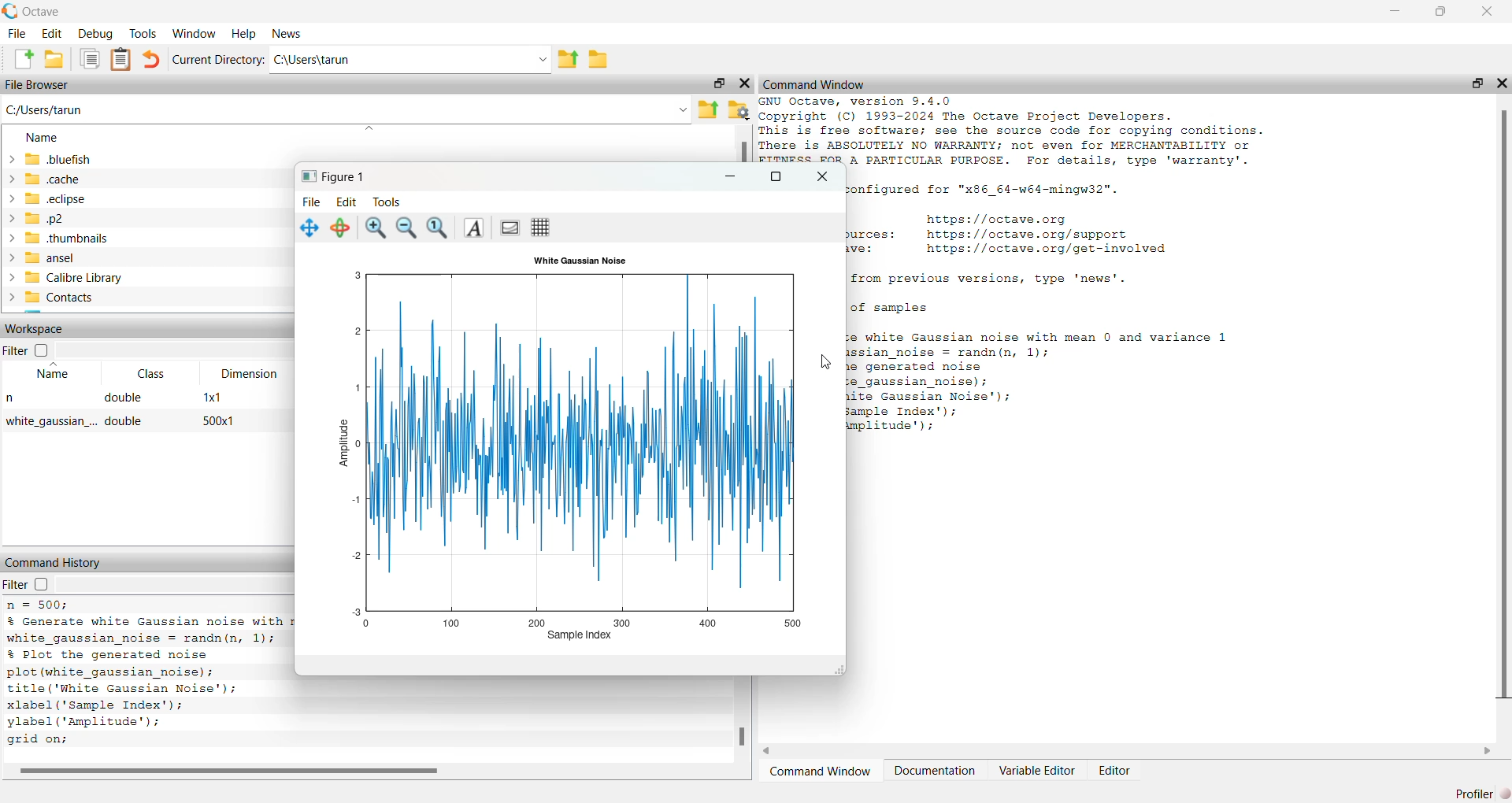 This screenshot has width=1512, height=803. Describe the element at coordinates (55, 298) in the screenshot. I see `> Contacts` at that location.